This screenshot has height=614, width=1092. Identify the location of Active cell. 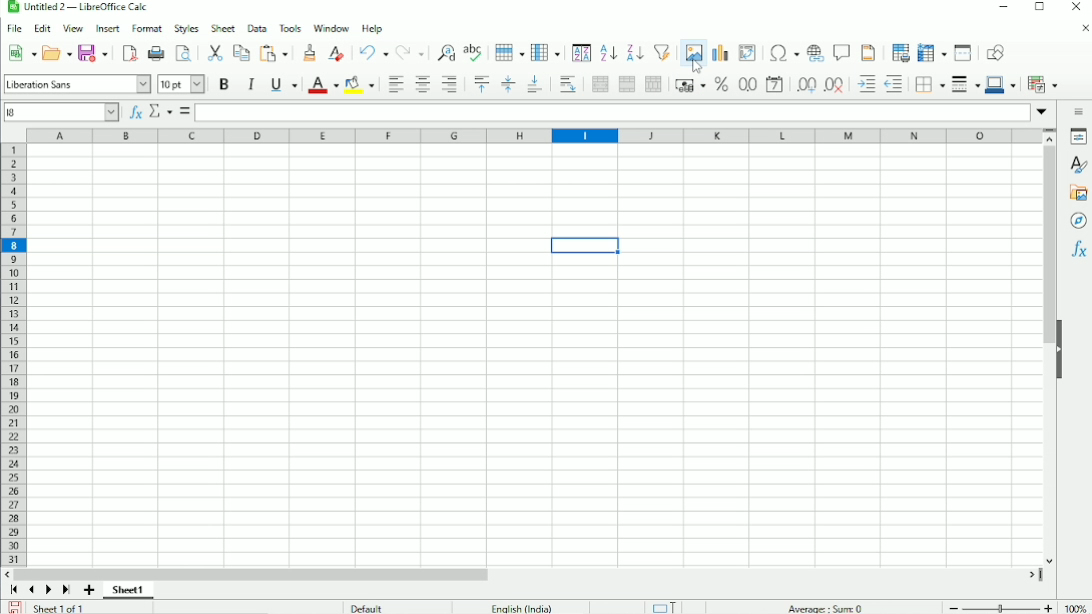
(585, 248).